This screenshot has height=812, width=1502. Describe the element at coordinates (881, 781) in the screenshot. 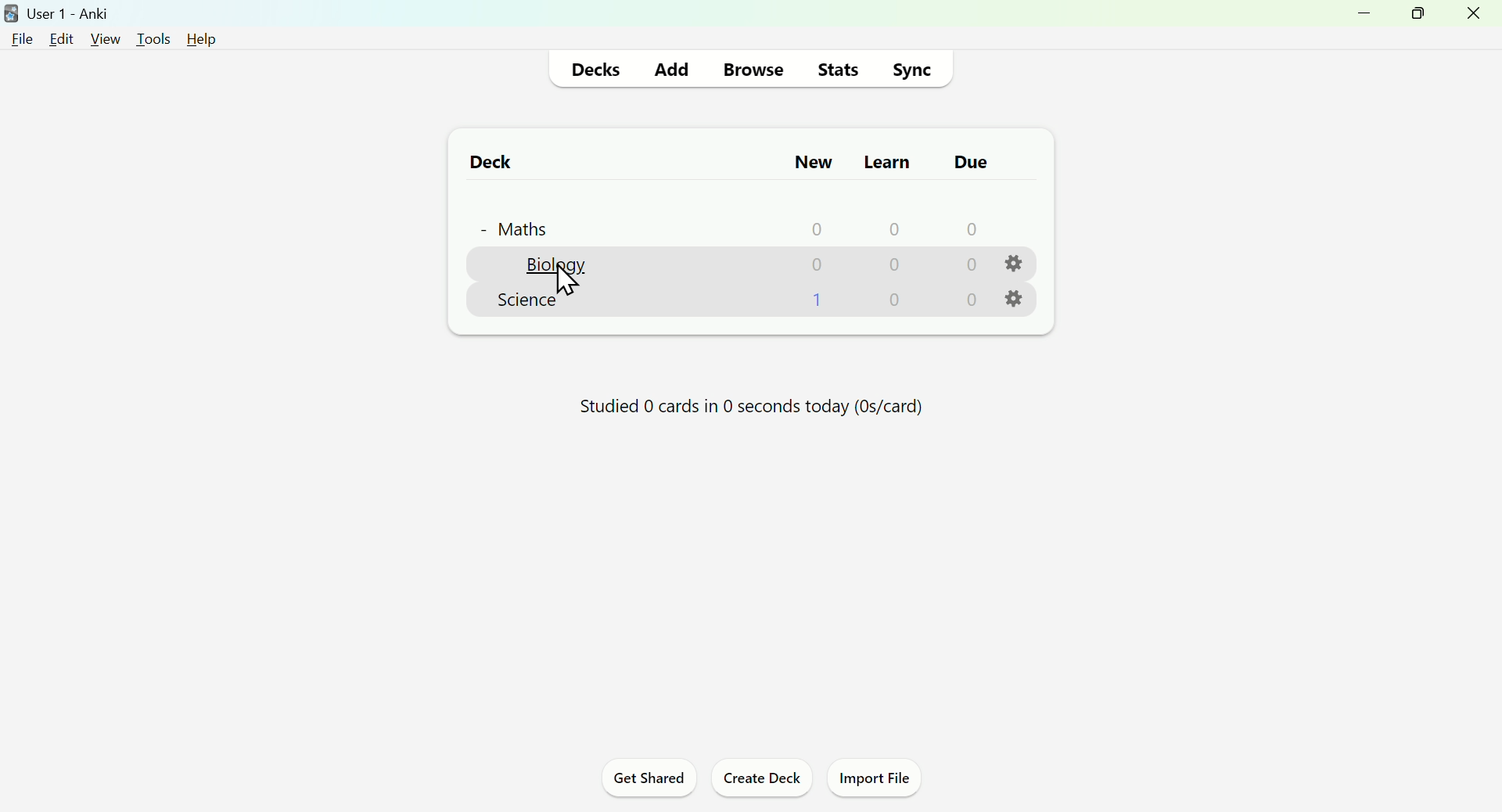

I see `Import File` at that location.